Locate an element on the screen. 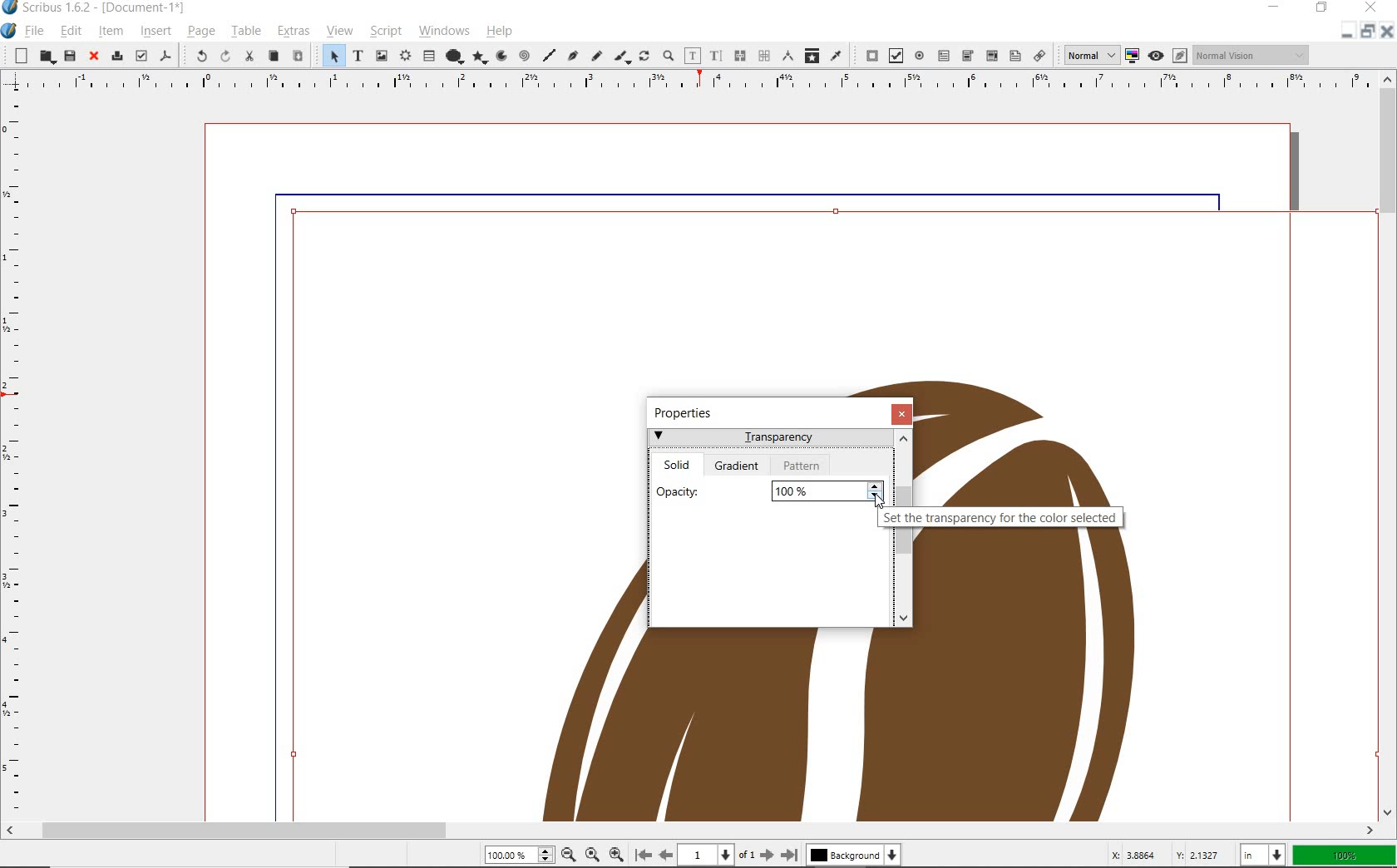 This screenshot has height=868, width=1397. table is located at coordinates (245, 31).